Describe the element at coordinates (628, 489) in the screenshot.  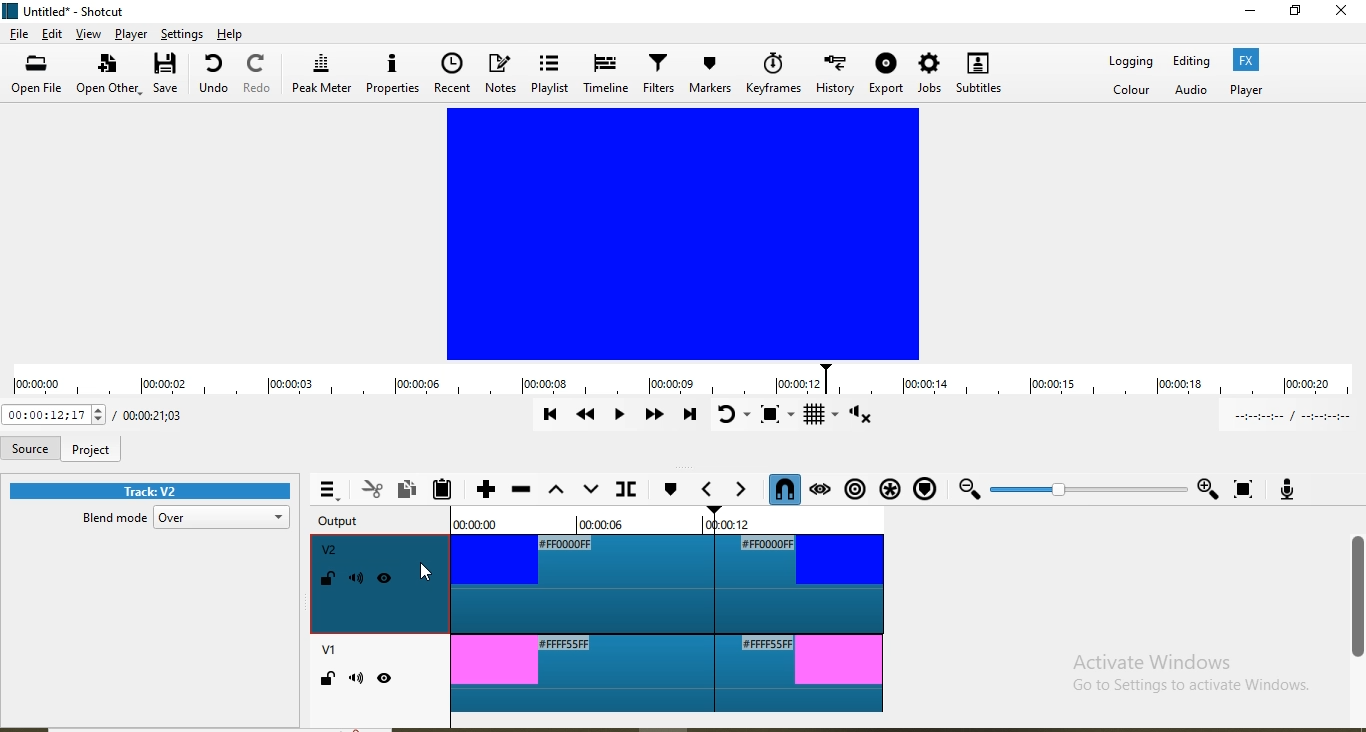
I see `Split at playhead` at that location.